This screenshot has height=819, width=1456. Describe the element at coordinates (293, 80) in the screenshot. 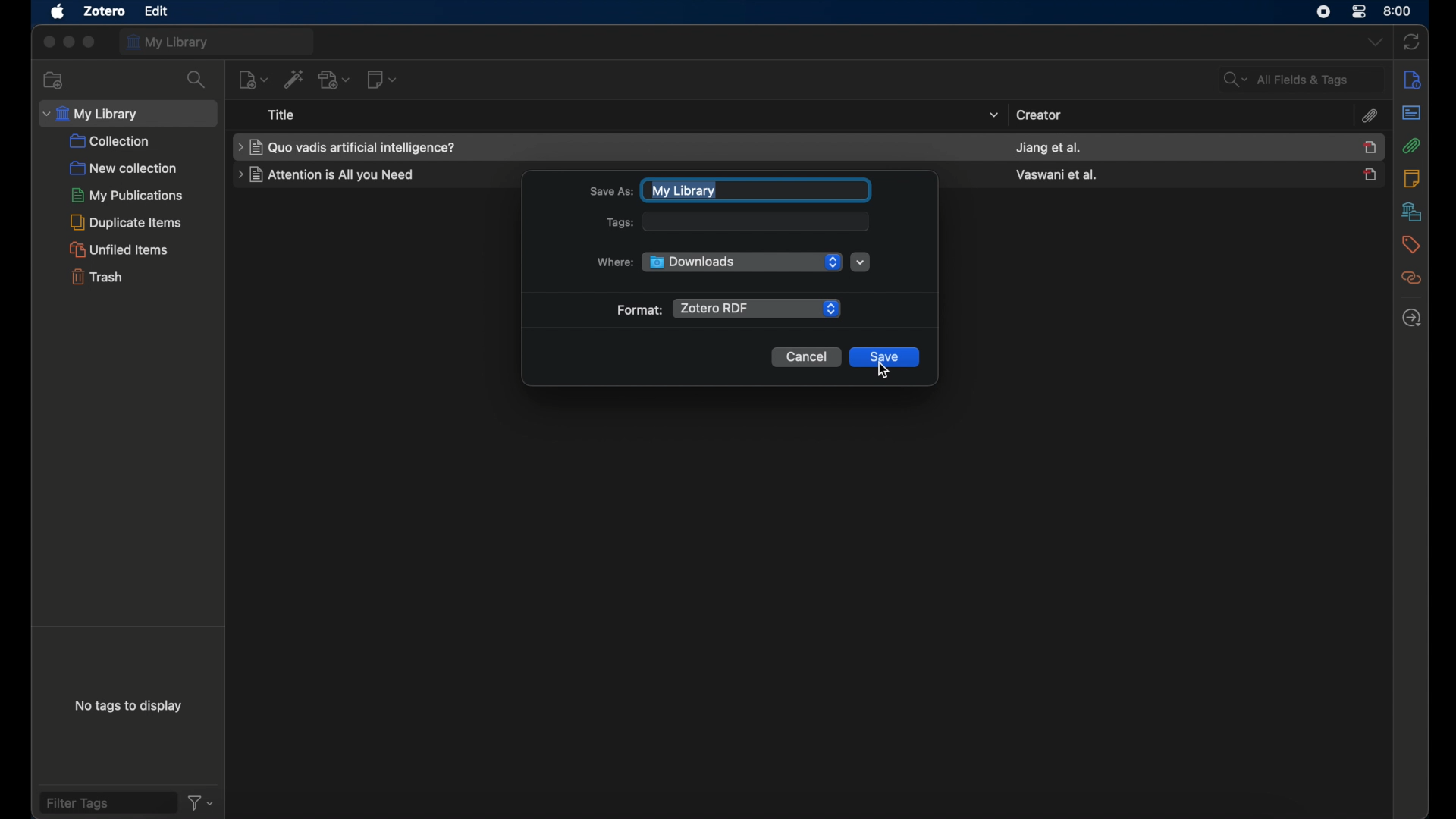

I see `add item by identifier` at that location.